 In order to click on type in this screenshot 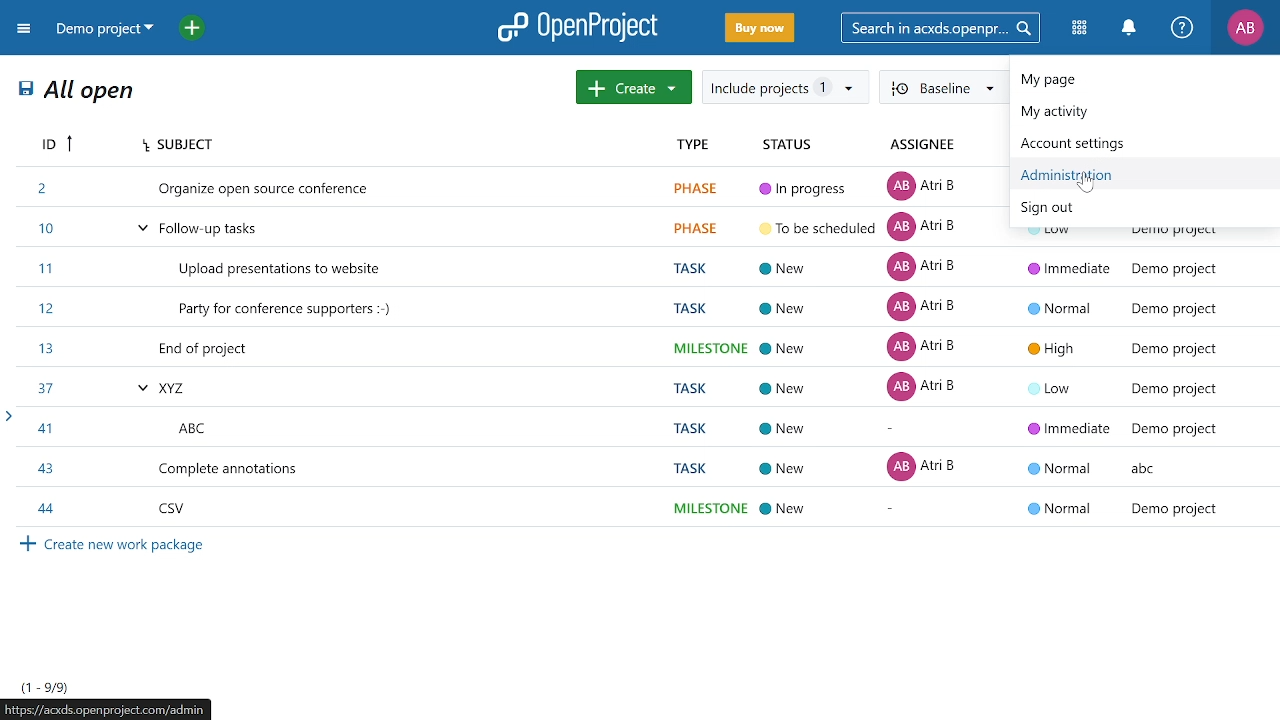, I will do `click(702, 145)`.